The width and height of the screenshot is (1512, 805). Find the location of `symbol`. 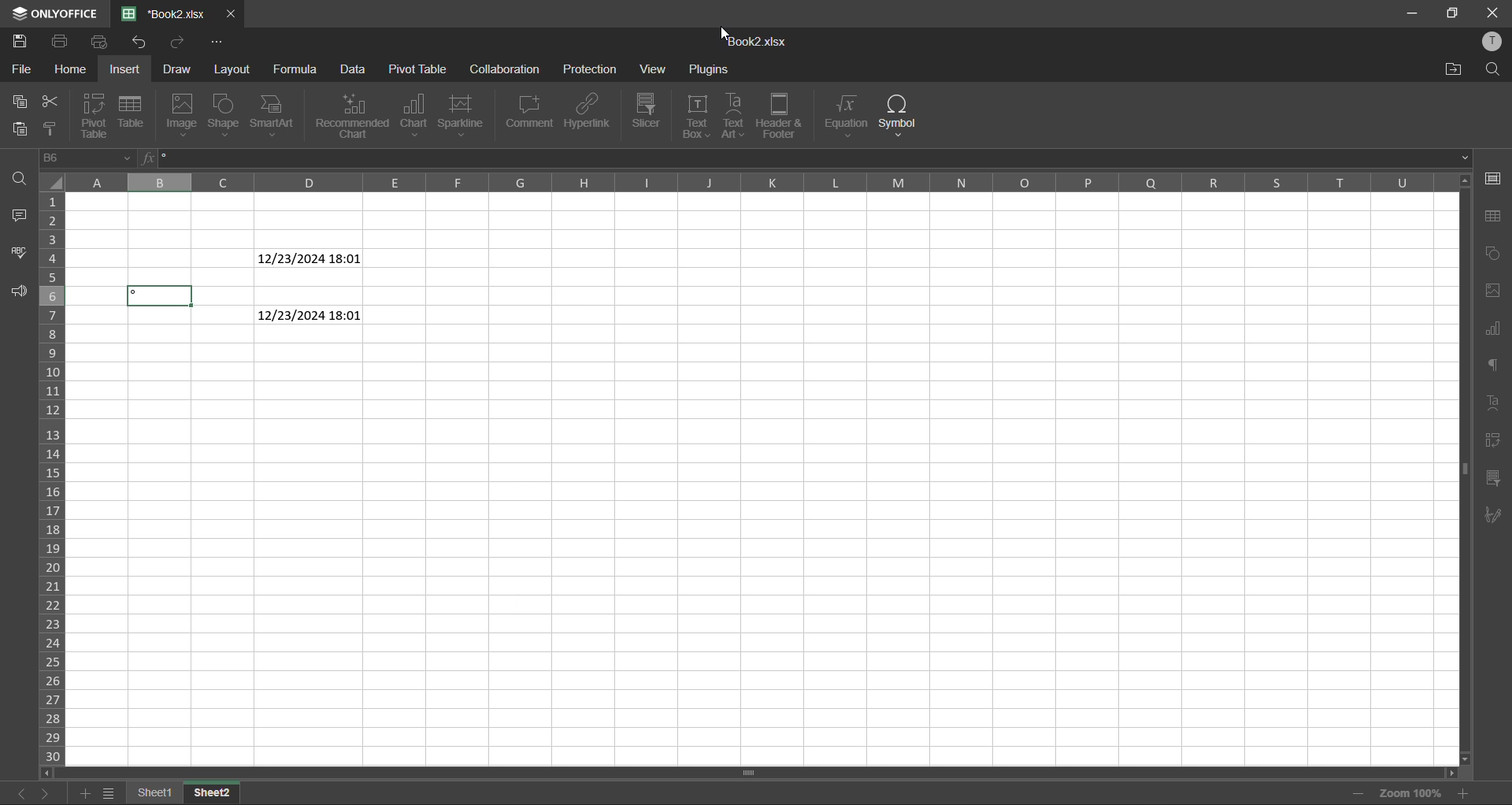

symbol is located at coordinates (898, 116).